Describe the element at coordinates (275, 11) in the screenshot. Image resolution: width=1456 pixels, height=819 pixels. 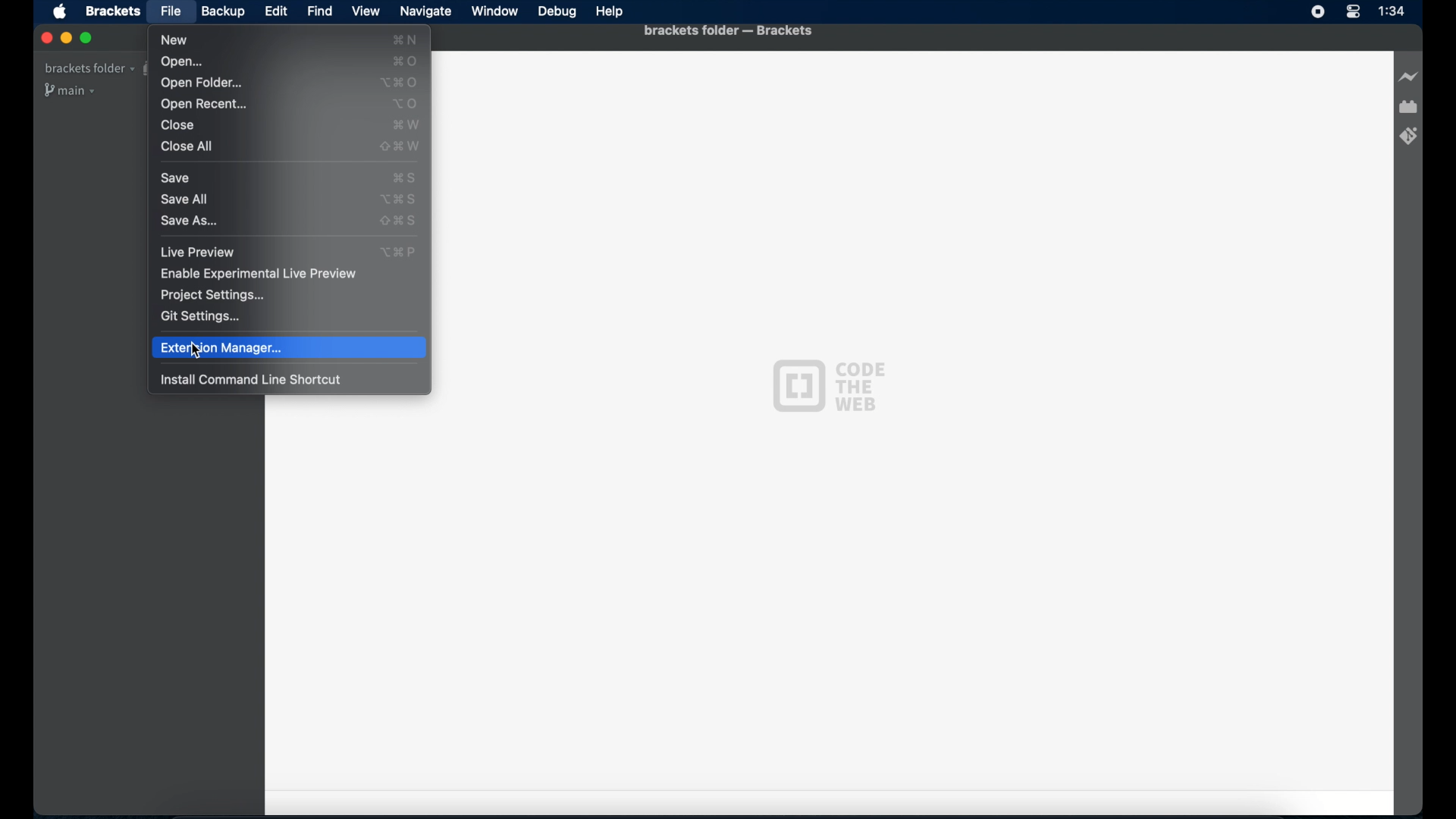
I see `Edit` at that location.